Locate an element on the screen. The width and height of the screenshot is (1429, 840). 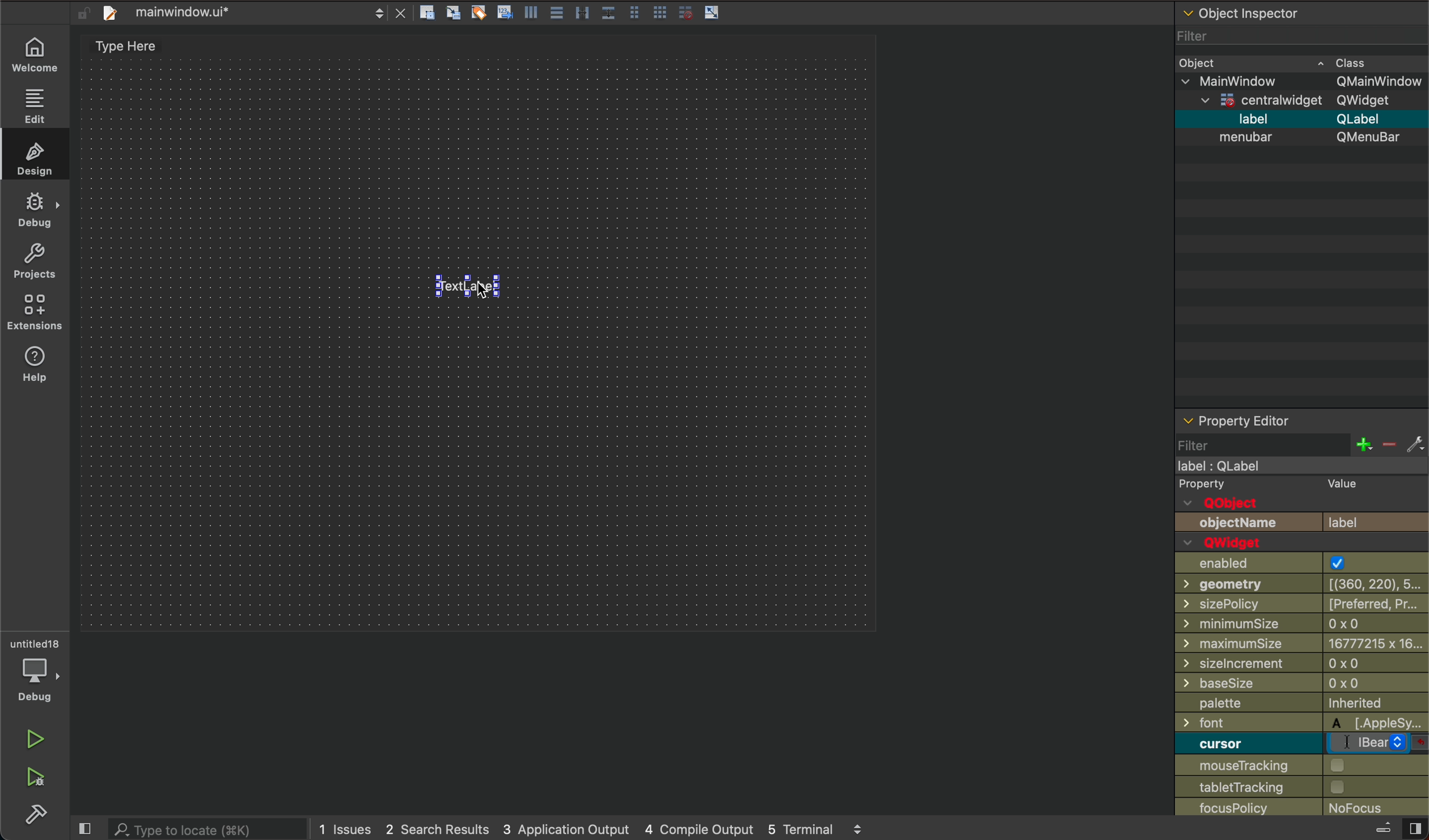
wecome is located at coordinates (36, 52).